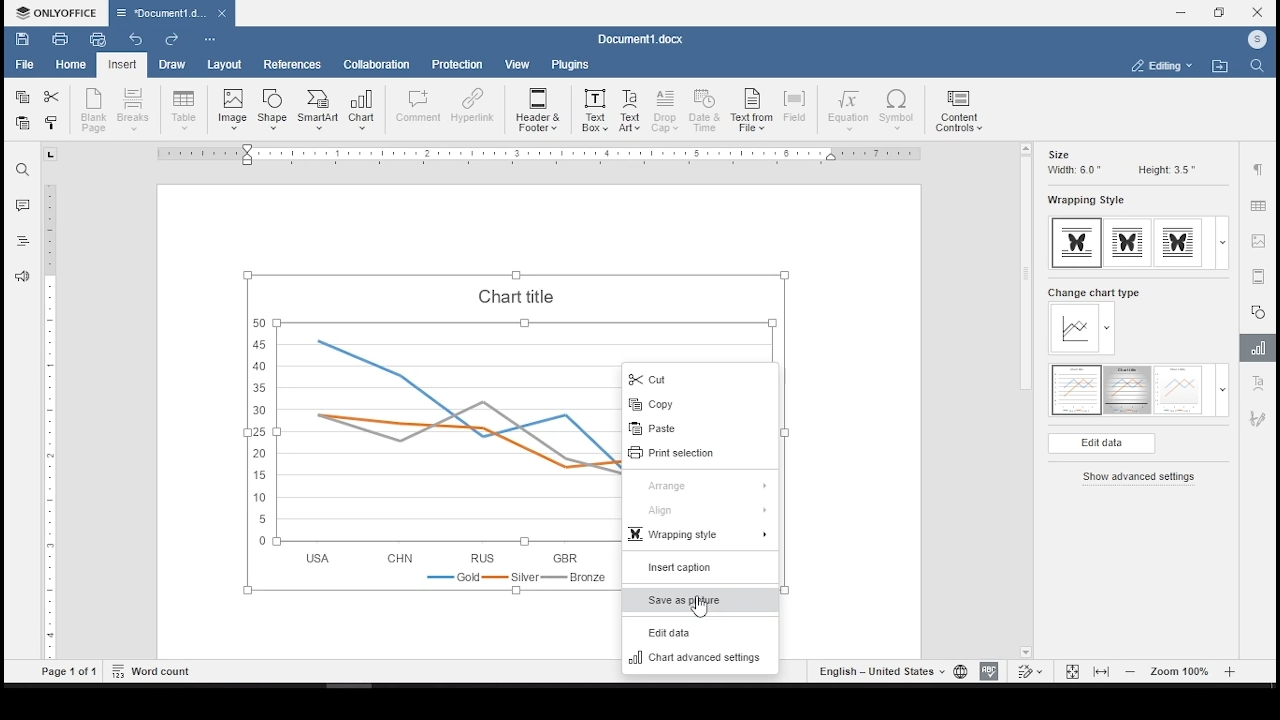 The image size is (1280, 720). I want to click on ruler, so click(528, 155).